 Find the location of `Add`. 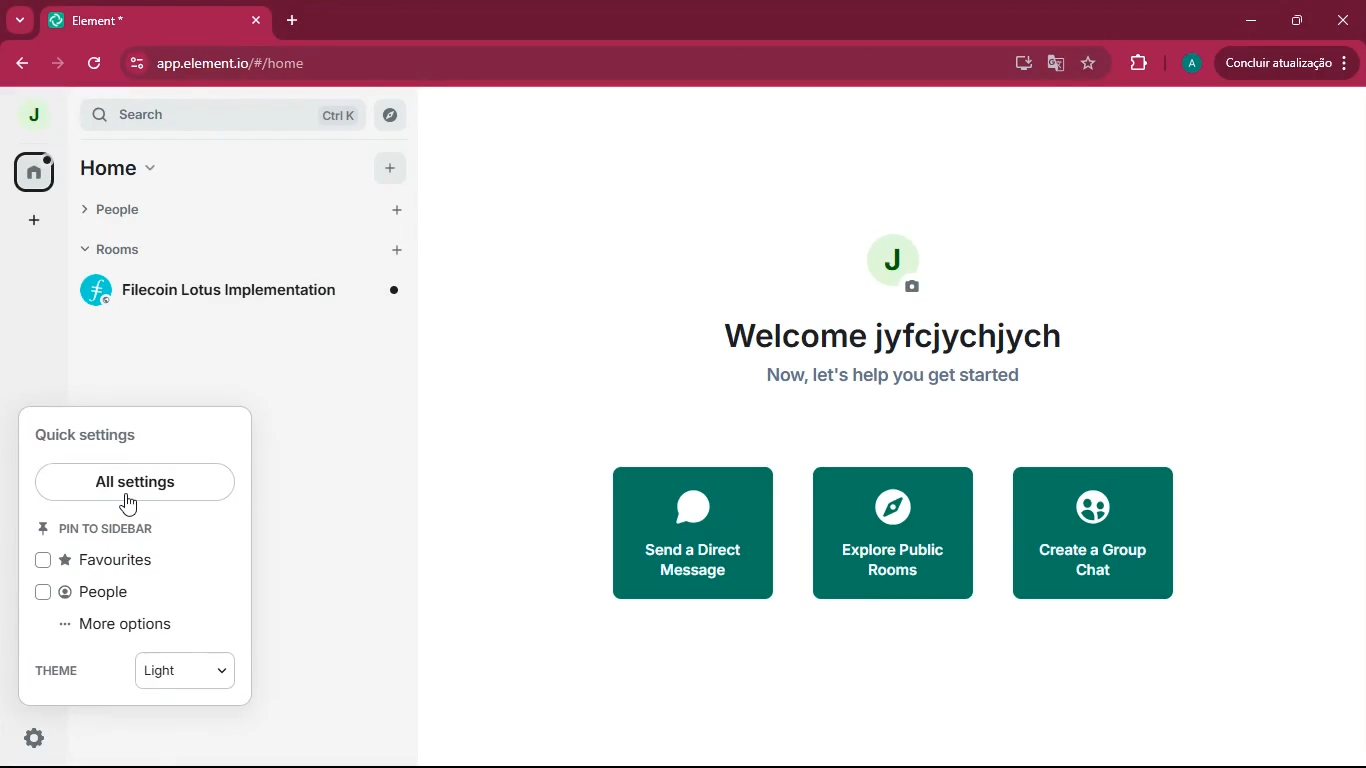

Add is located at coordinates (391, 168).